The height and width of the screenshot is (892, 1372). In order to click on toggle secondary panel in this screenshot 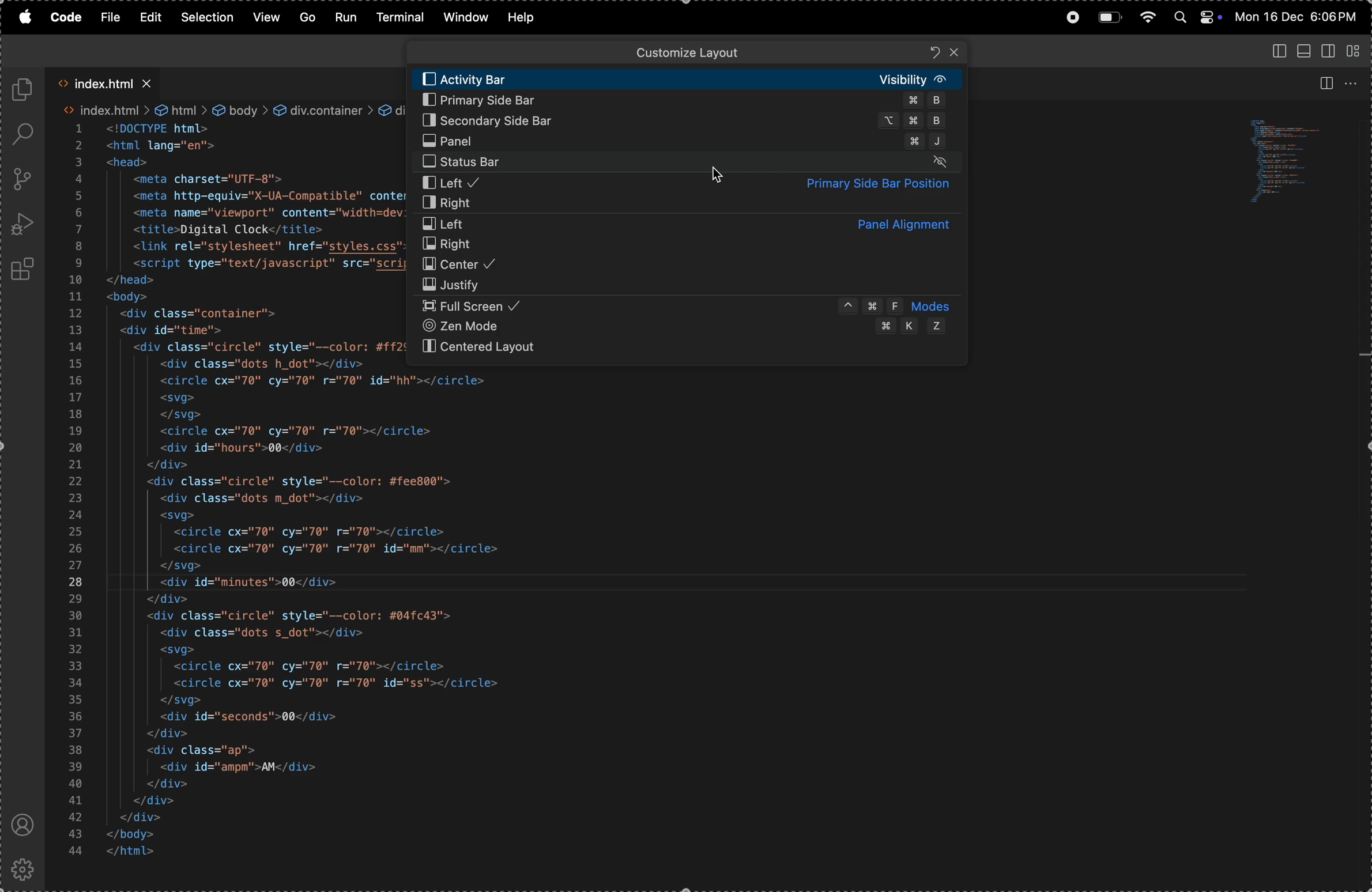, I will do `click(1329, 51)`.